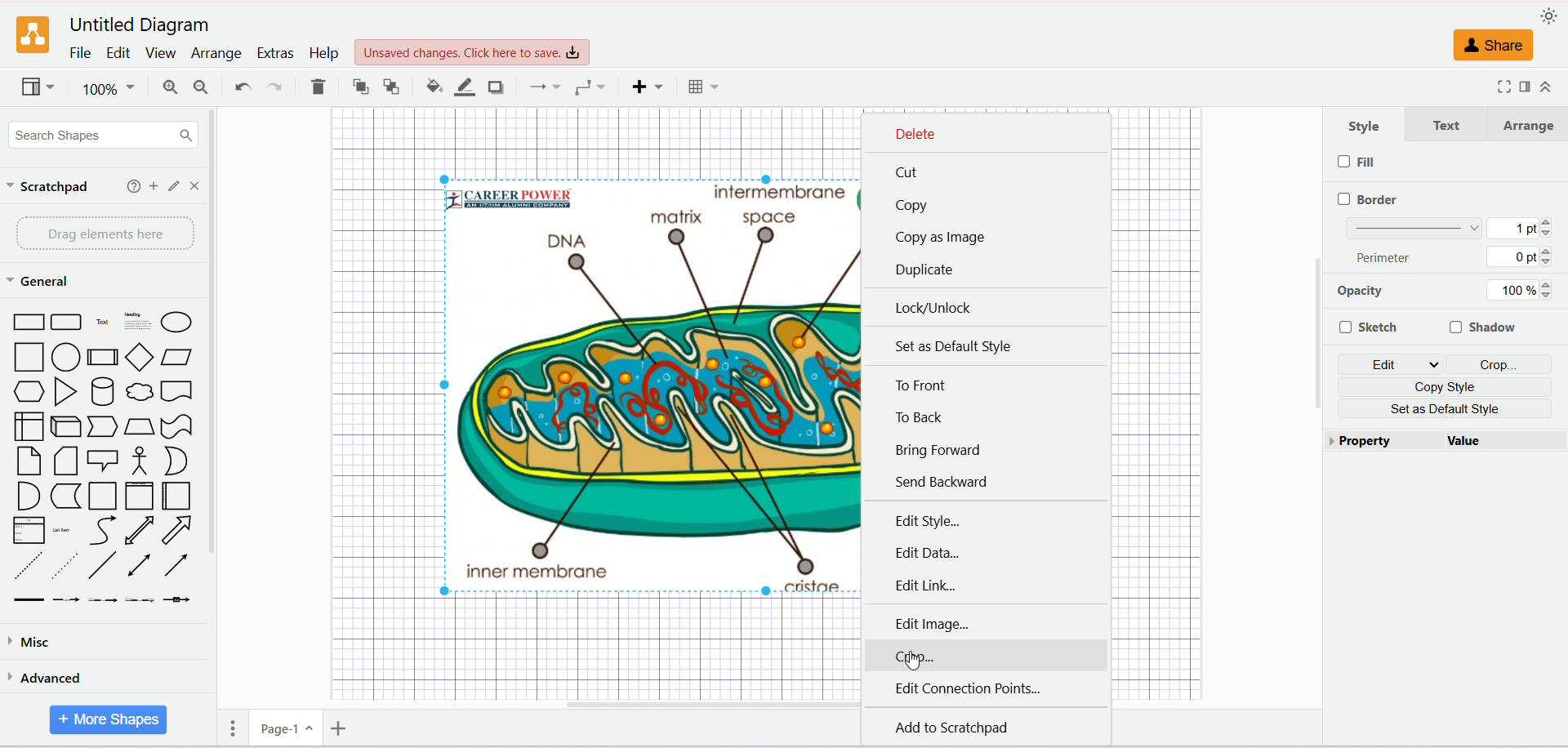  I want to click on Untitled Diagram, so click(139, 26).